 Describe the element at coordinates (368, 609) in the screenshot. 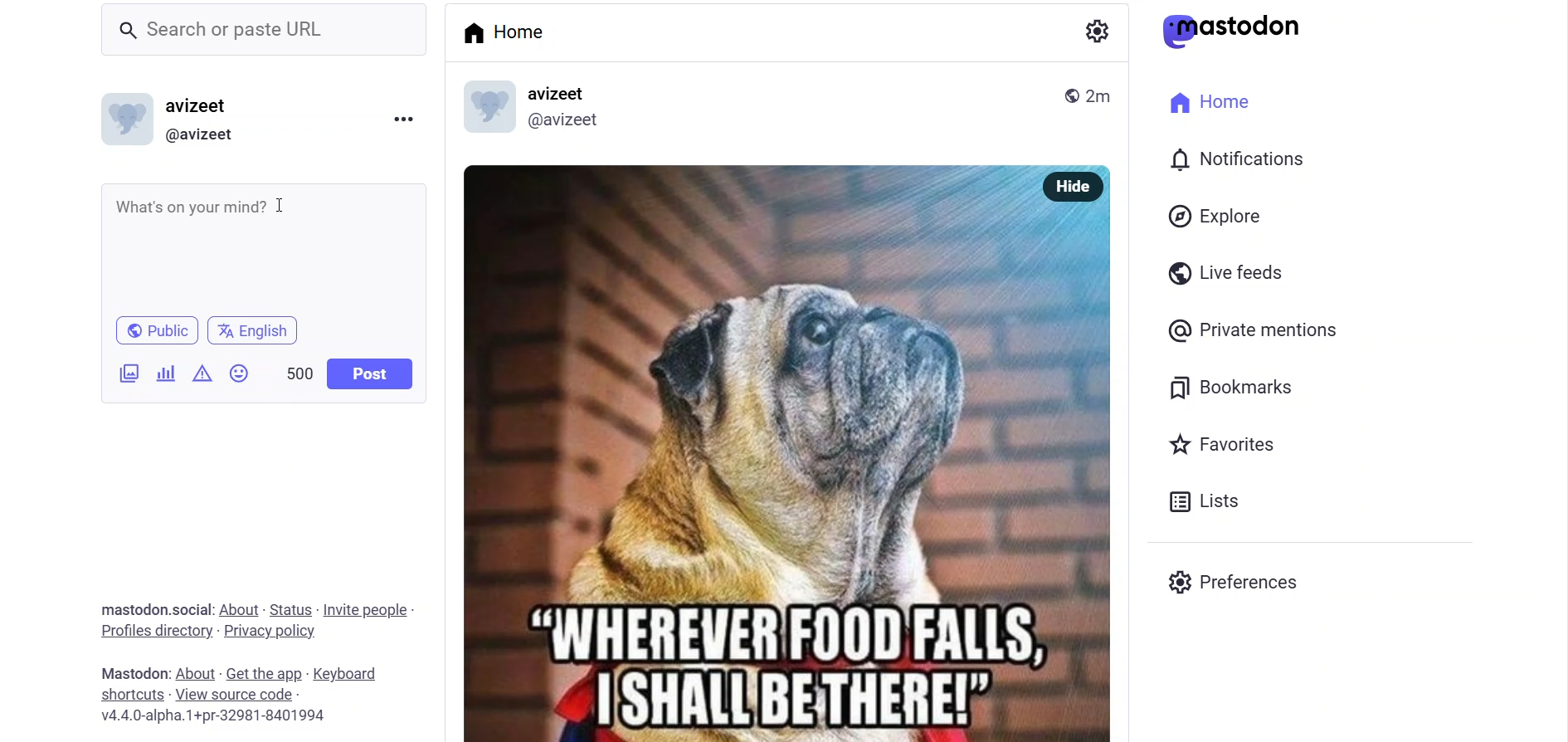

I see `invite people` at that location.